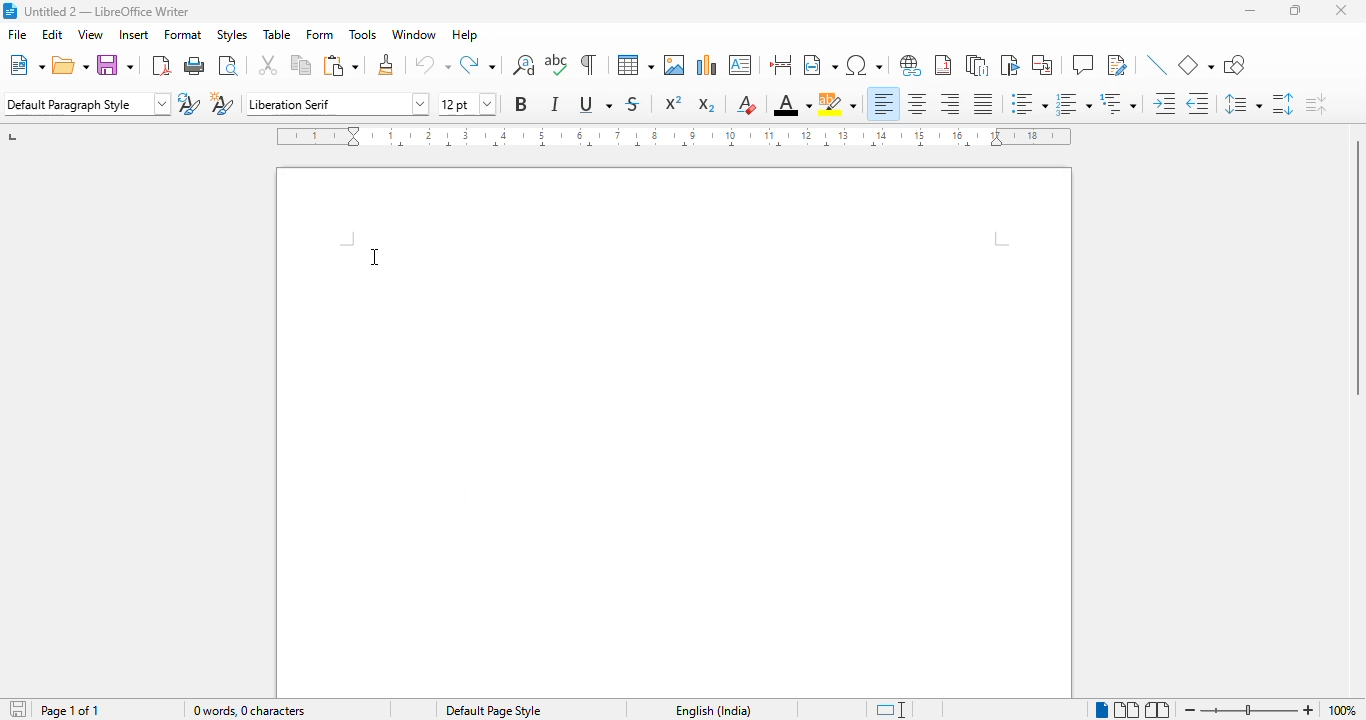  I want to click on cursor, so click(375, 257).